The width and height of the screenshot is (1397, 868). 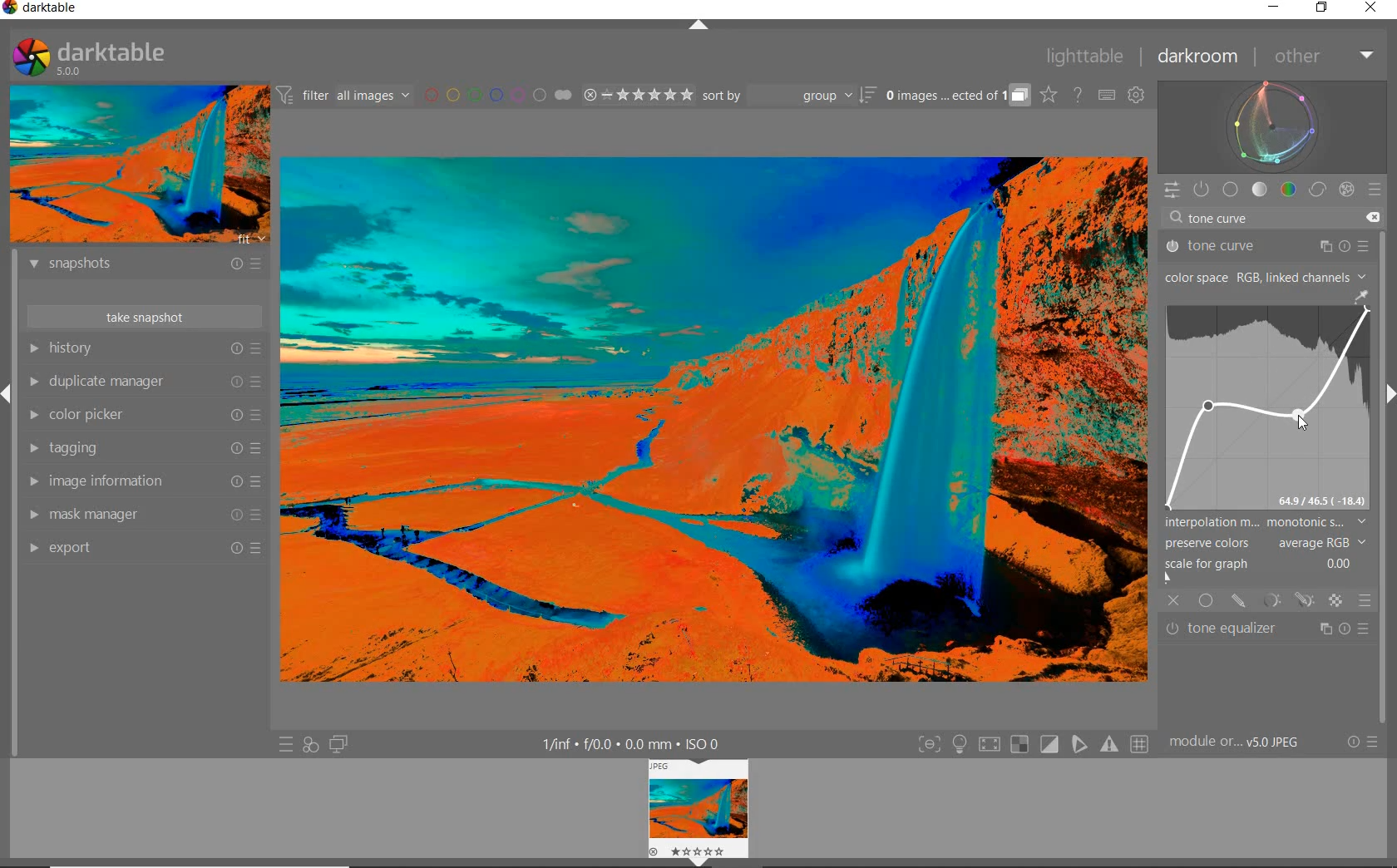 What do you see at coordinates (1173, 601) in the screenshot?
I see `OFF` at bounding box center [1173, 601].